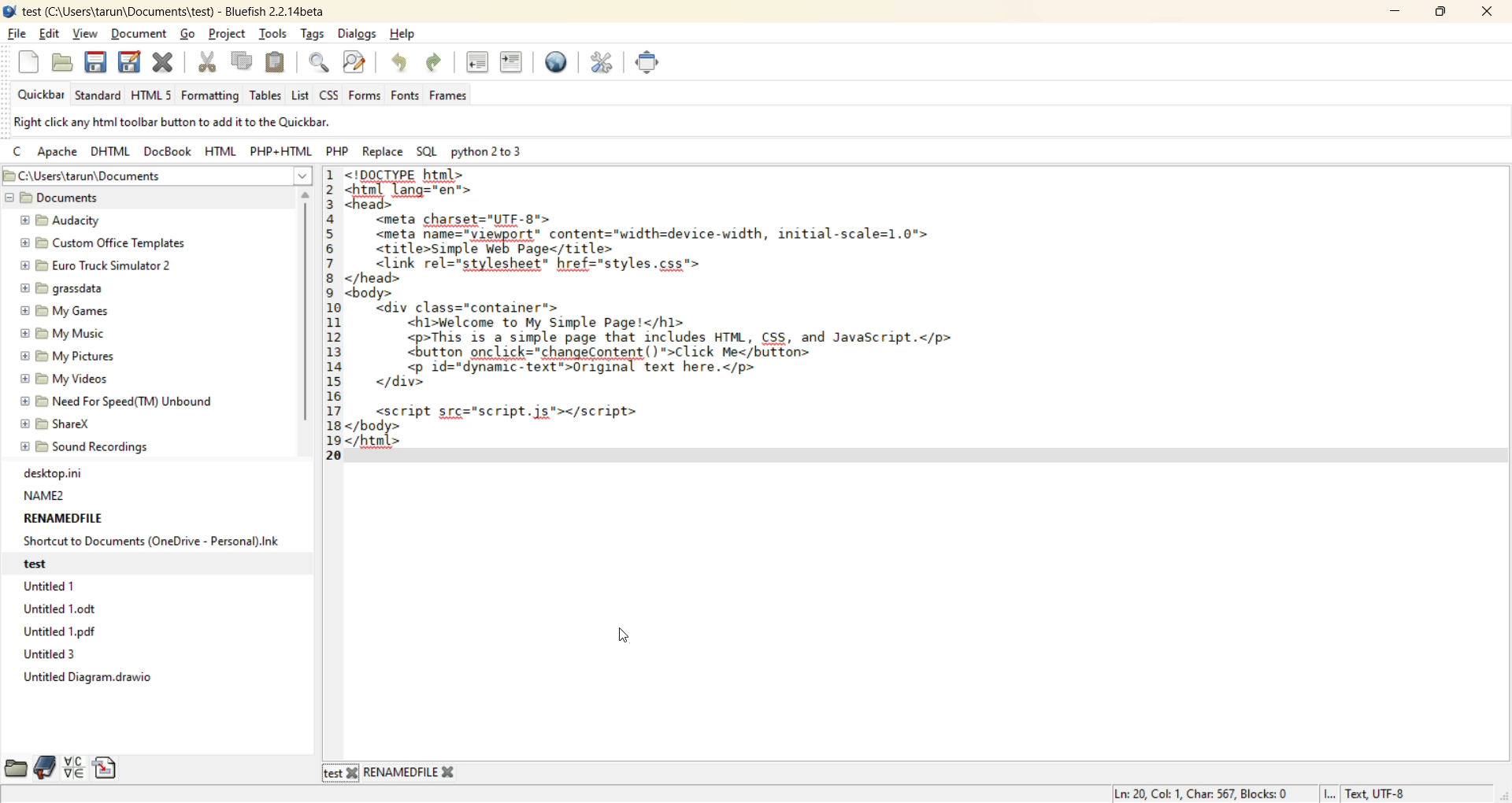 The width and height of the screenshot is (1512, 803). Describe the element at coordinates (59, 217) in the screenshot. I see `Audacity` at that location.